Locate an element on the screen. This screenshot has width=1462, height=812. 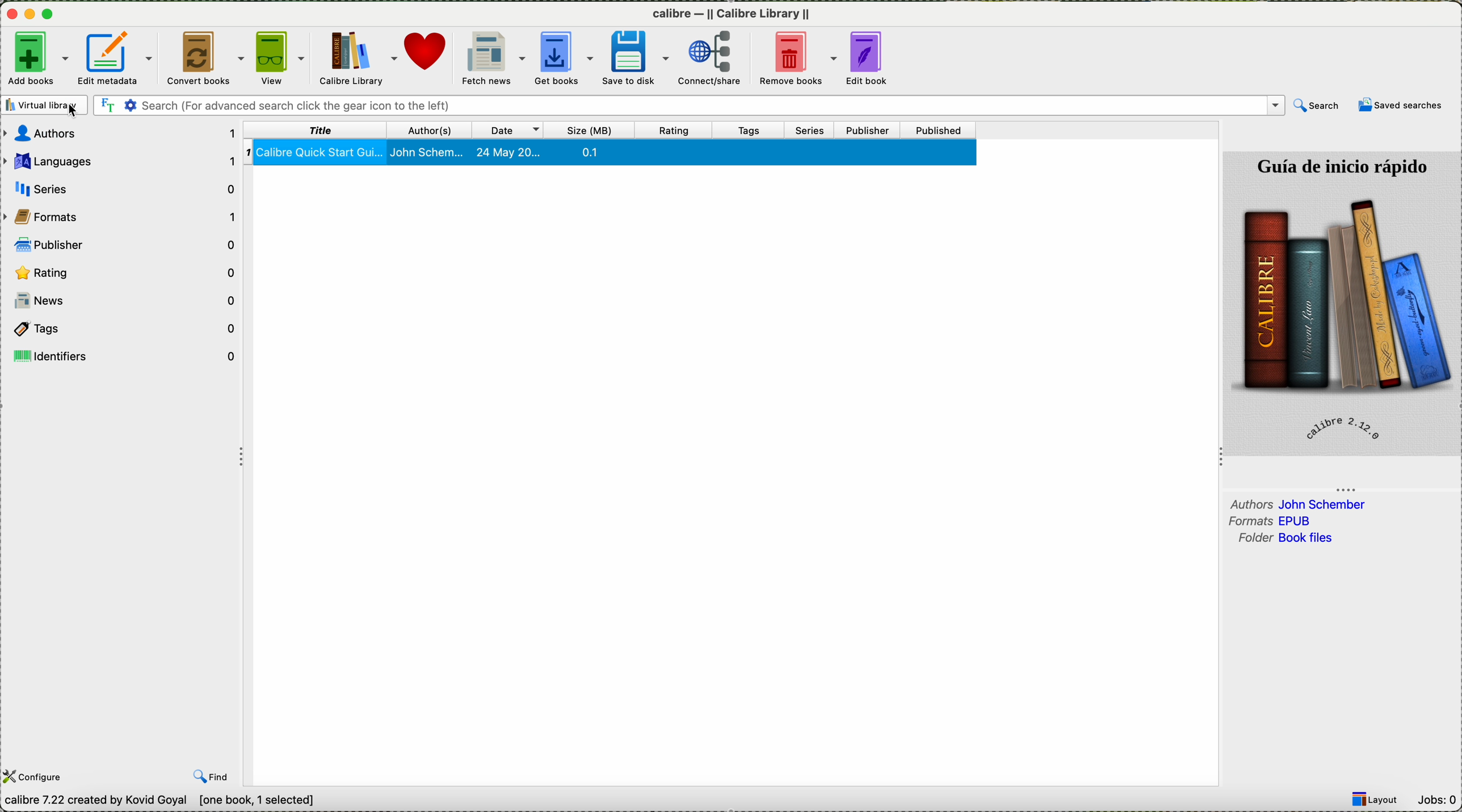
view is located at coordinates (282, 59).